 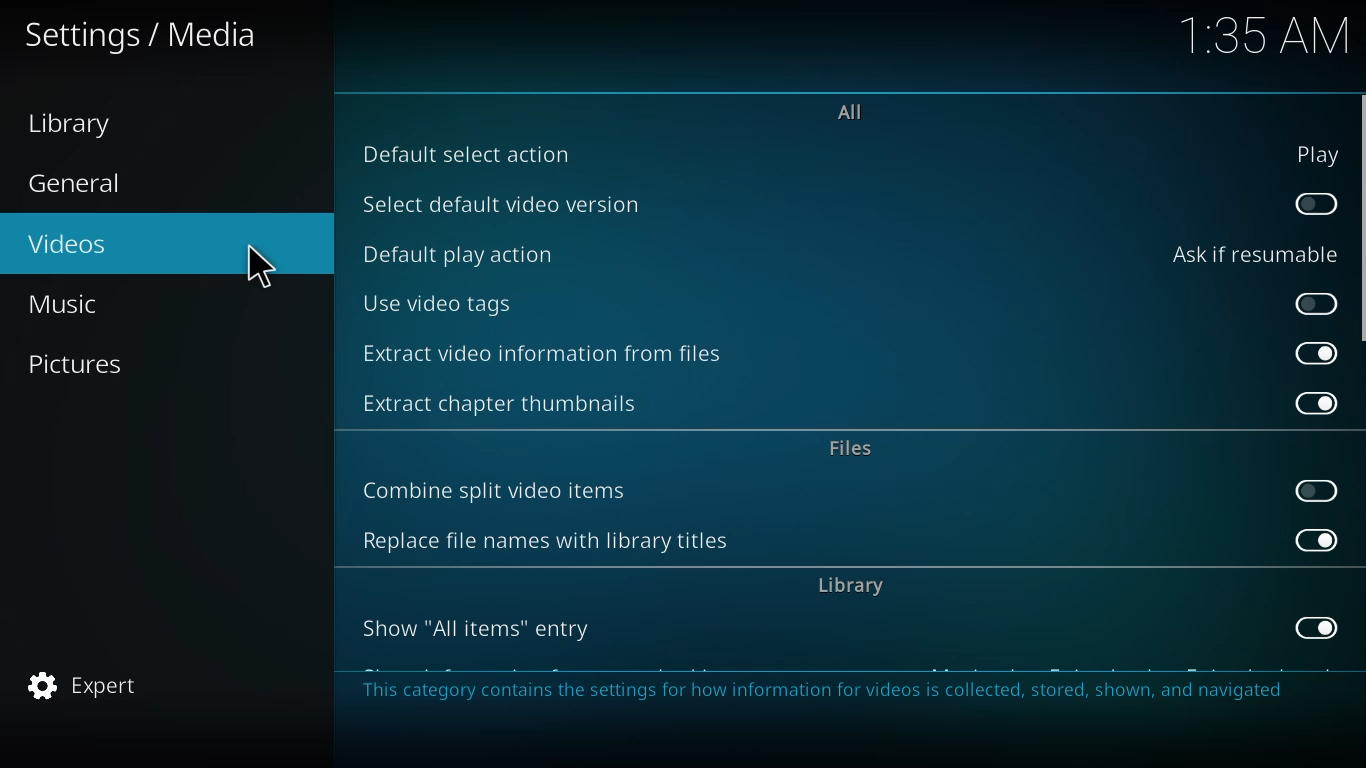 What do you see at coordinates (143, 37) in the screenshot?
I see `media` at bounding box center [143, 37].